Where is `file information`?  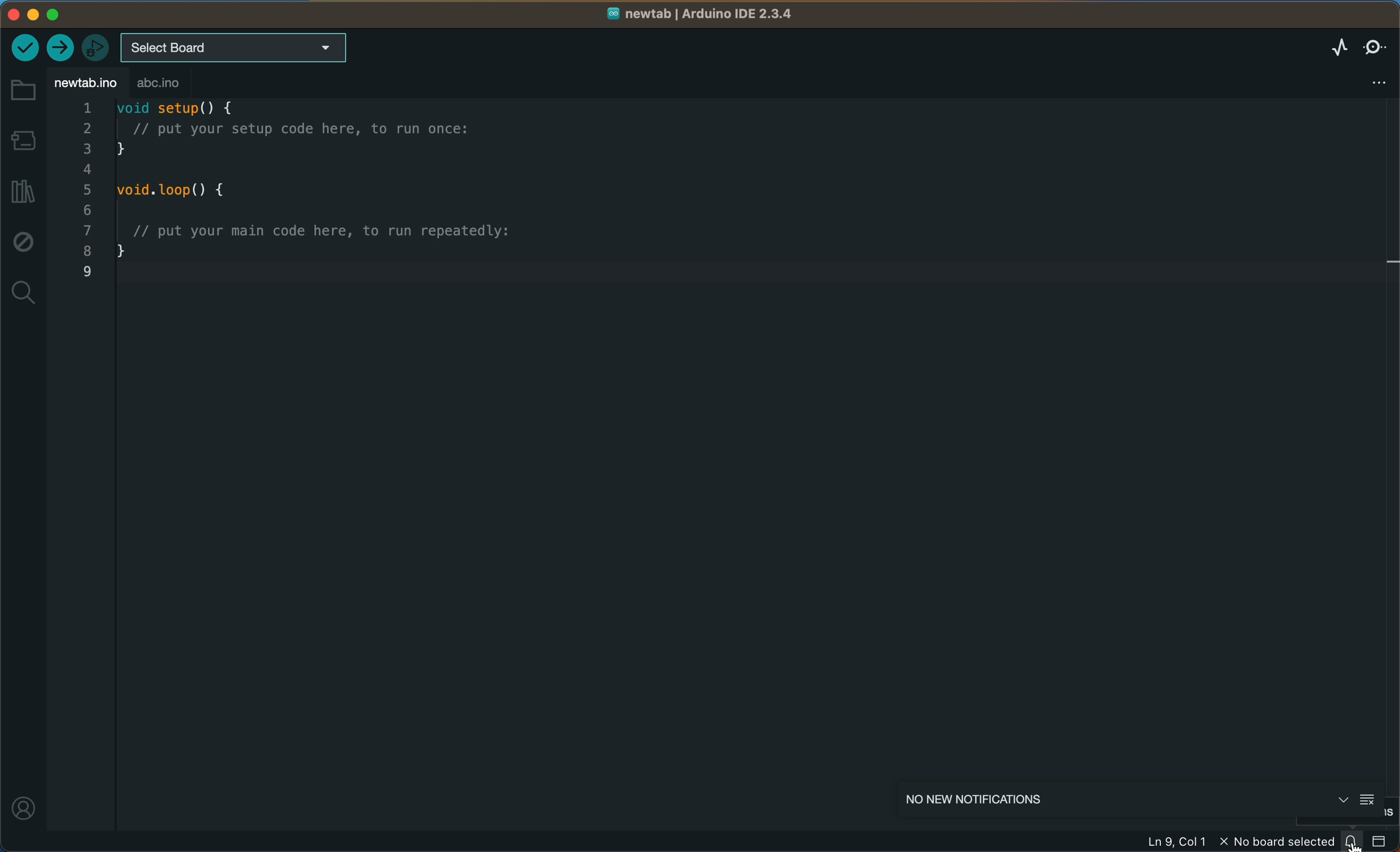 file information is located at coordinates (1182, 841).